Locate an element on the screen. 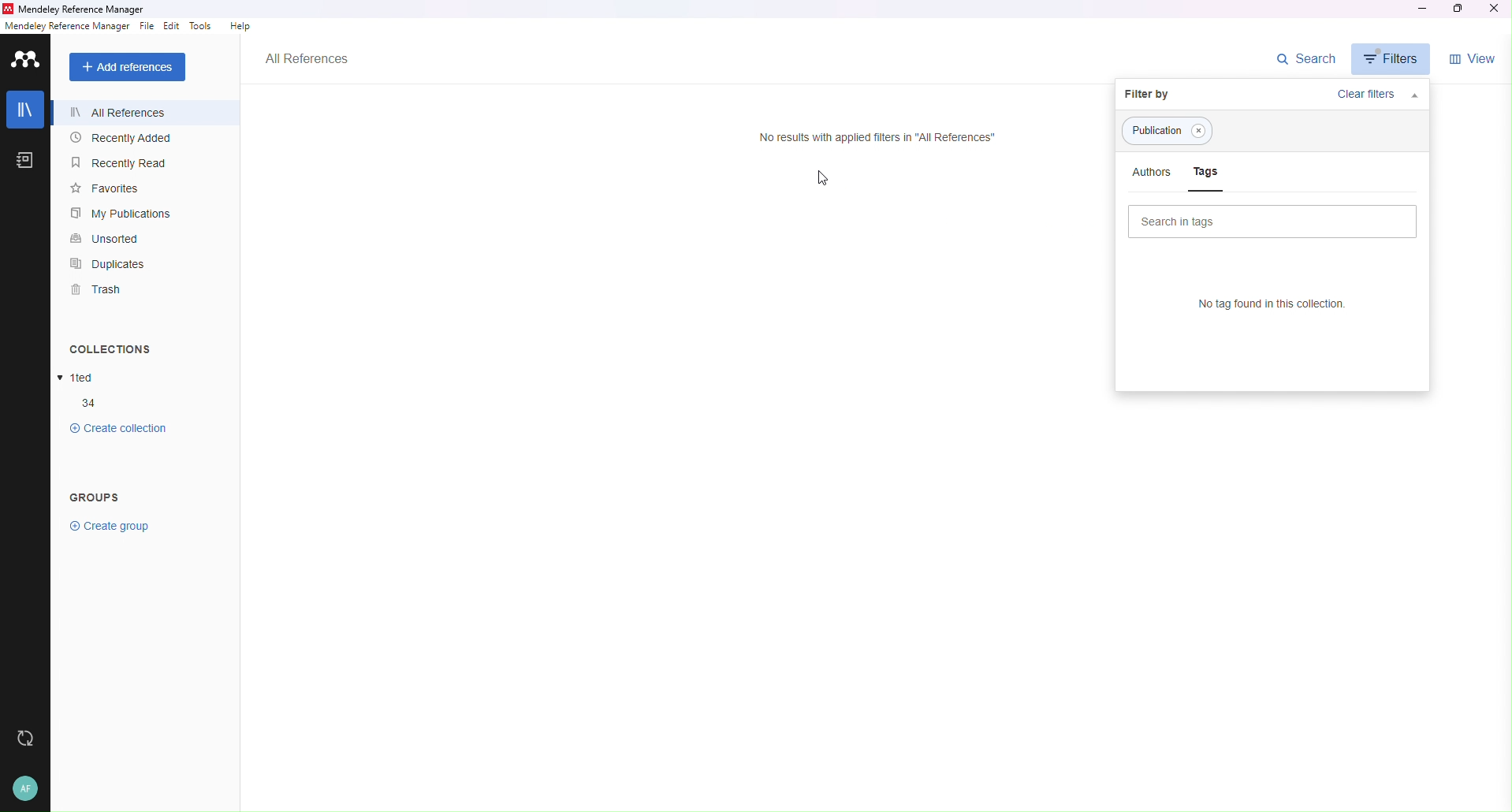 The height and width of the screenshot is (812, 1512). collections is located at coordinates (112, 349).